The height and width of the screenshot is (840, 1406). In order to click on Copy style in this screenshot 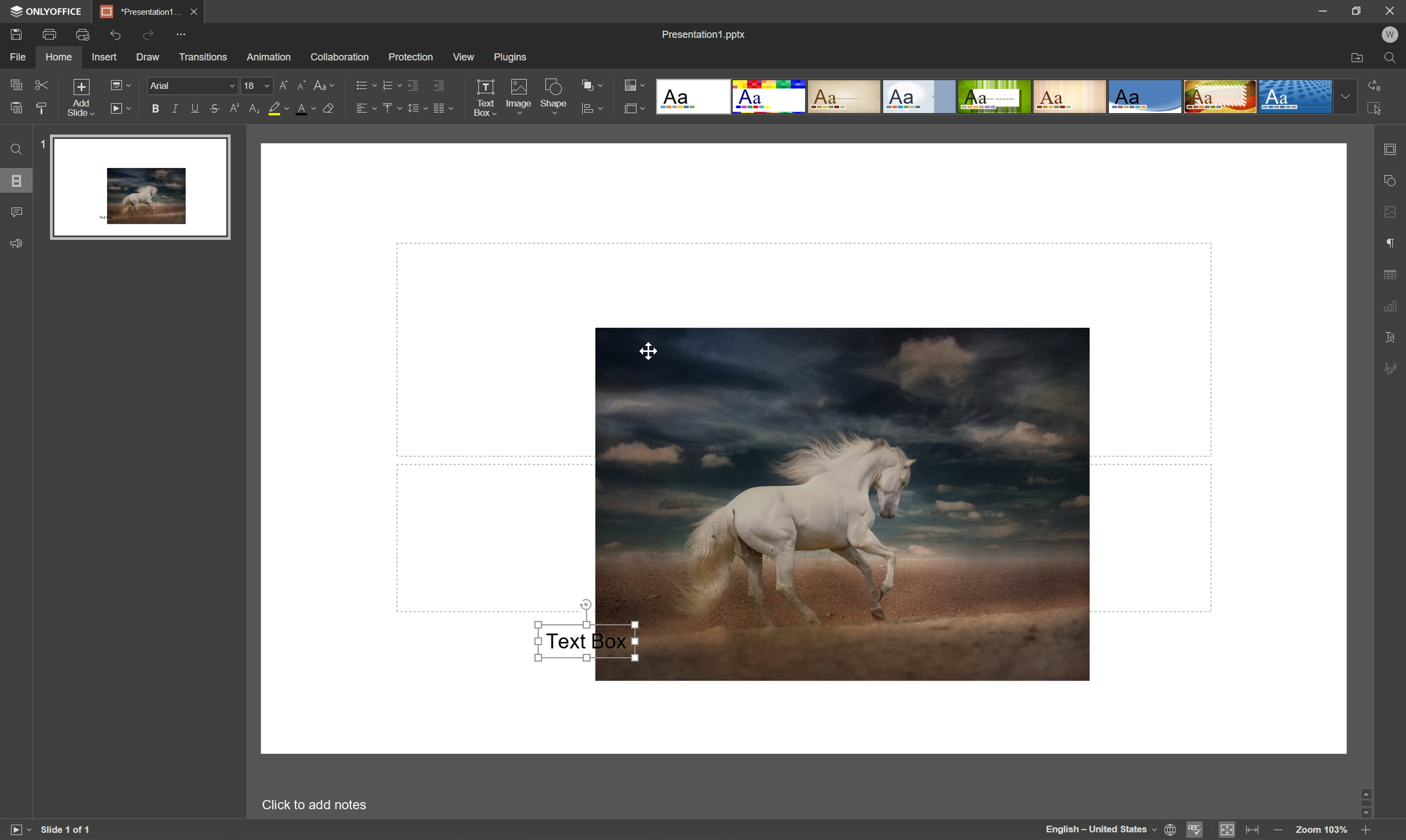, I will do `click(41, 108)`.